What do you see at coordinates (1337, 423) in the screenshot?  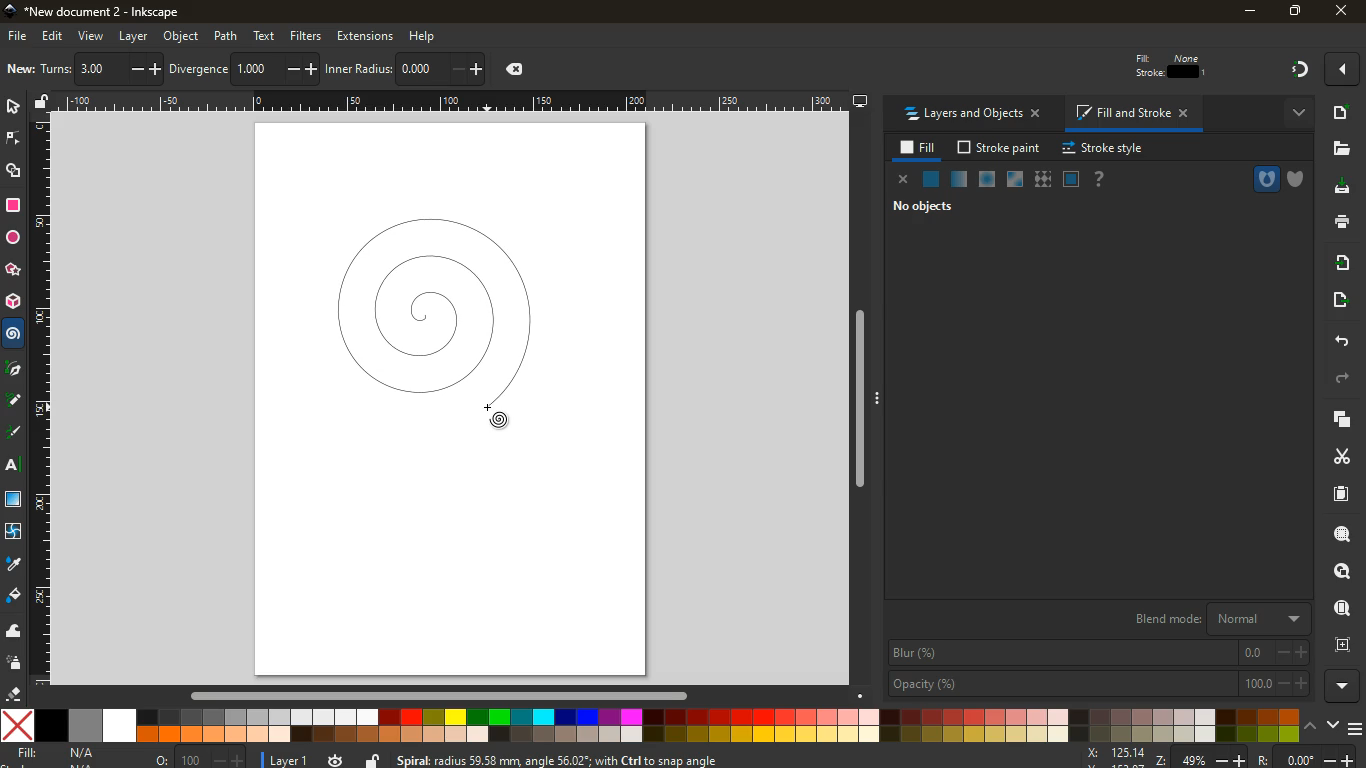 I see `layers` at bounding box center [1337, 423].